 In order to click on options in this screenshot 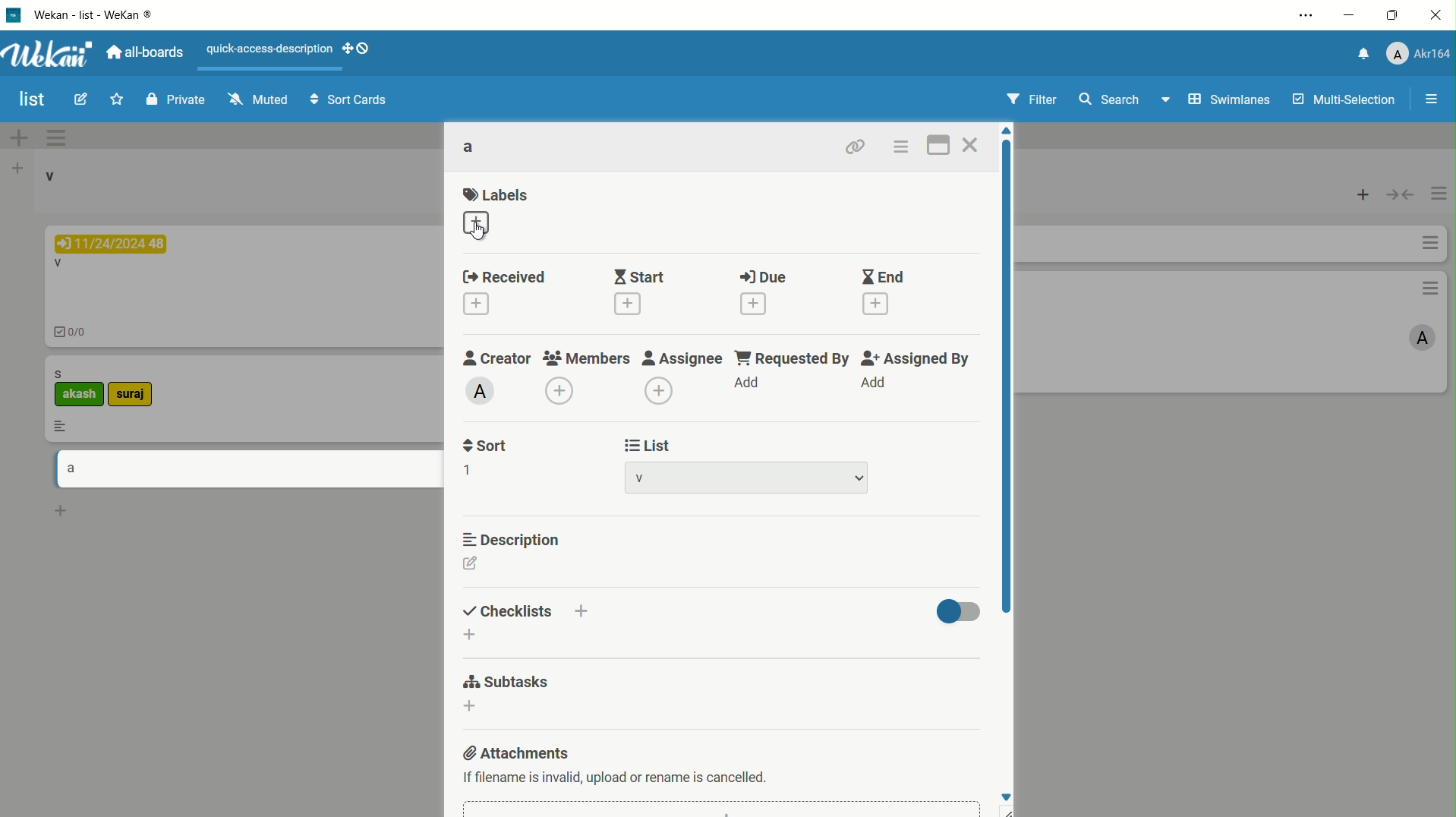, I will do `click(1439, 190)`.